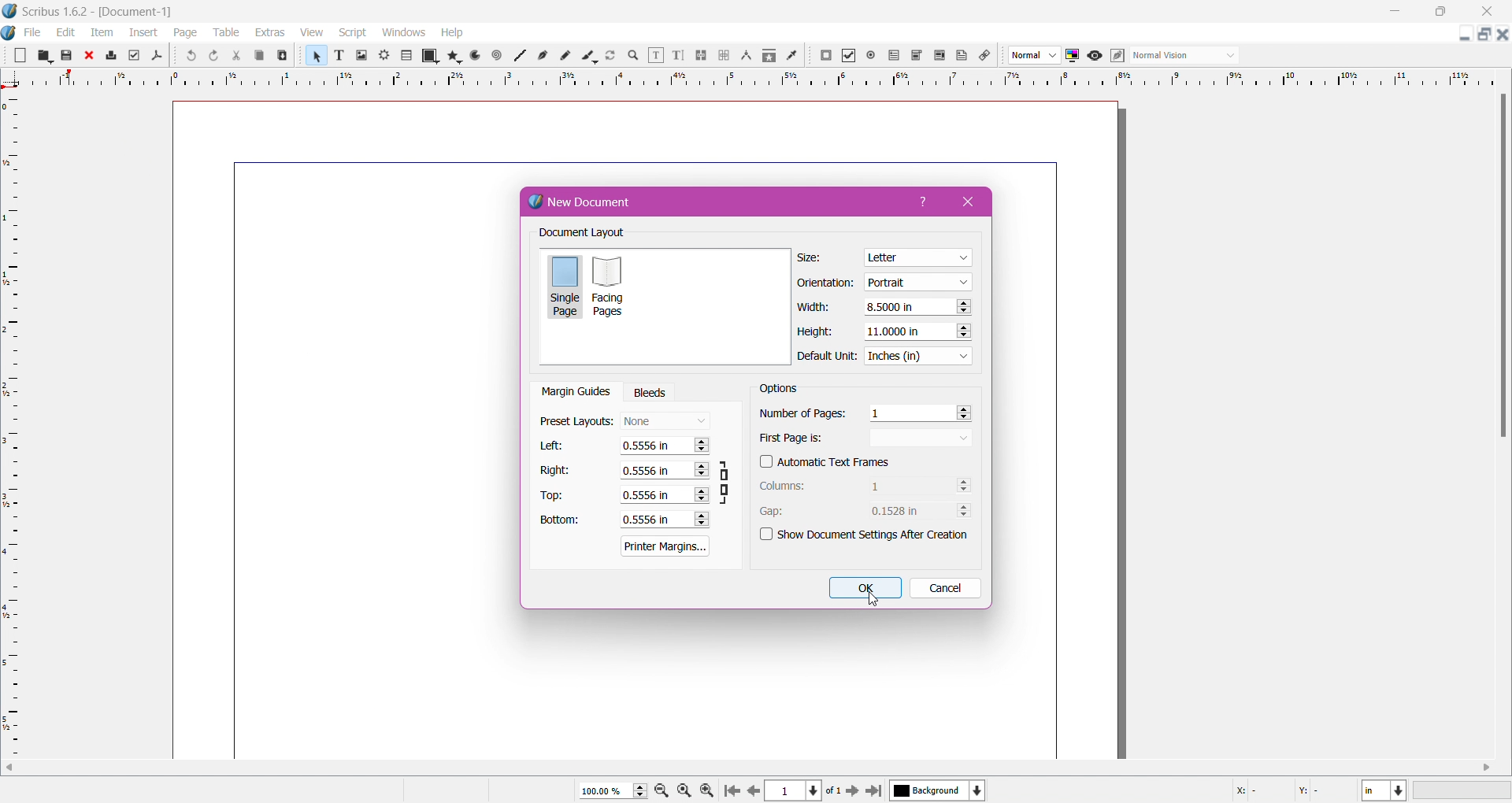 This screenshot has height=803, width=1512. Describe the element at coordinates (918, 331) in the screenshot. I see `11.0000 in |S]` at that location.